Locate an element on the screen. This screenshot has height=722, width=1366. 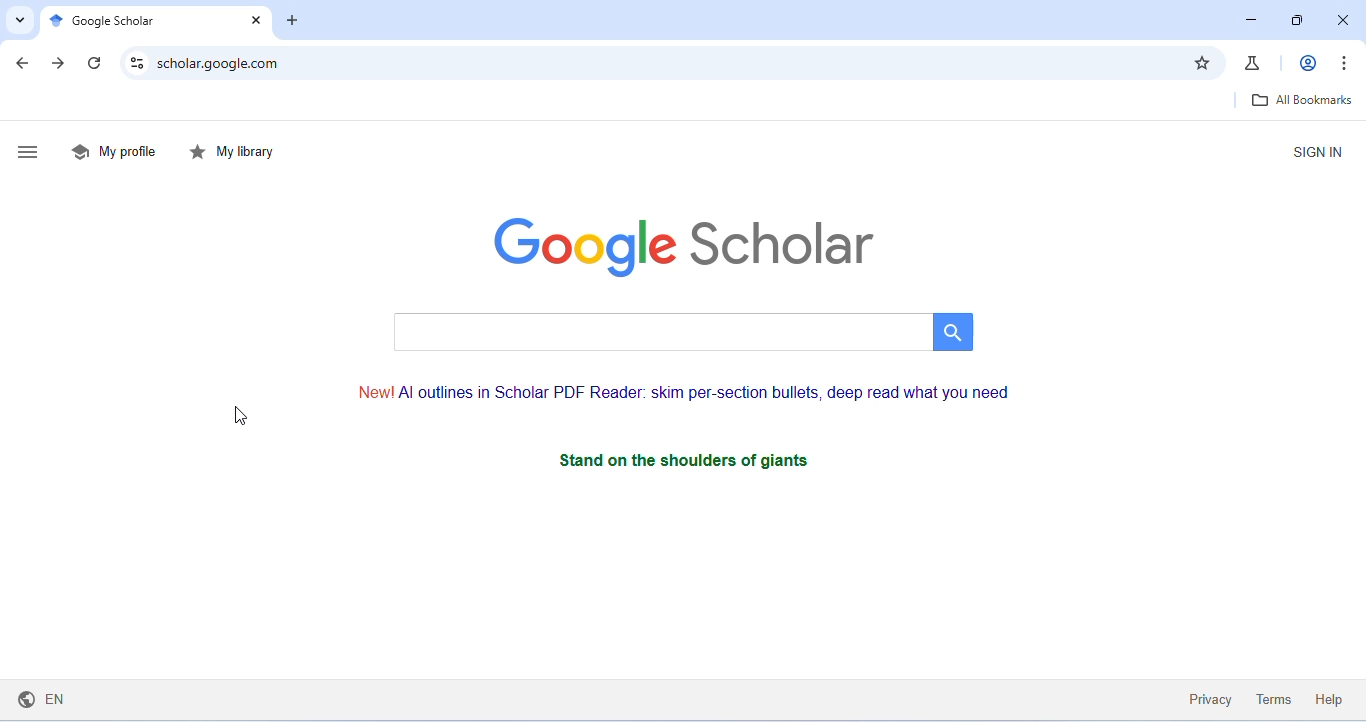
show side bar is located at coordinates (30, 153).